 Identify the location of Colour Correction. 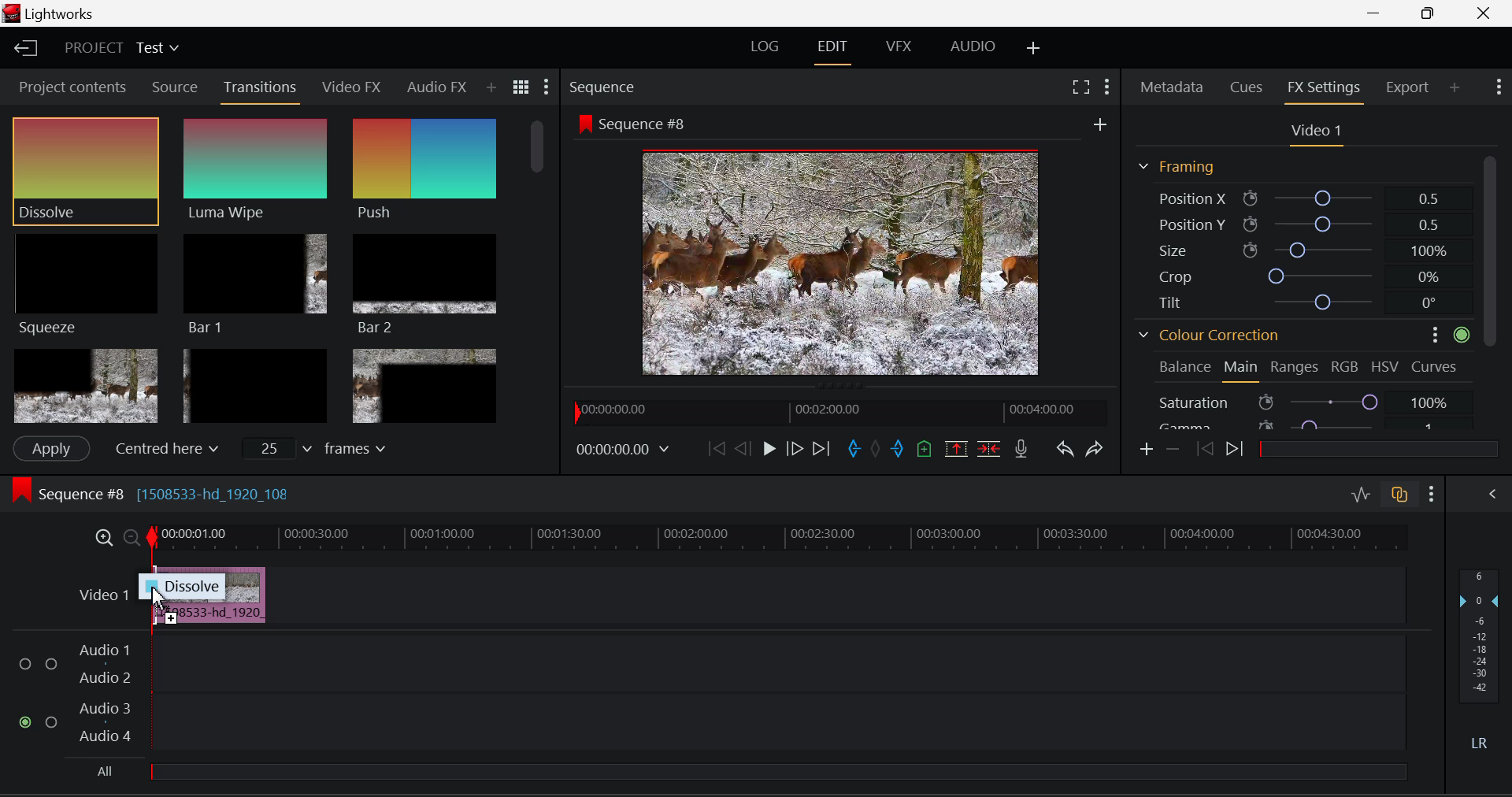
(1210, 334).